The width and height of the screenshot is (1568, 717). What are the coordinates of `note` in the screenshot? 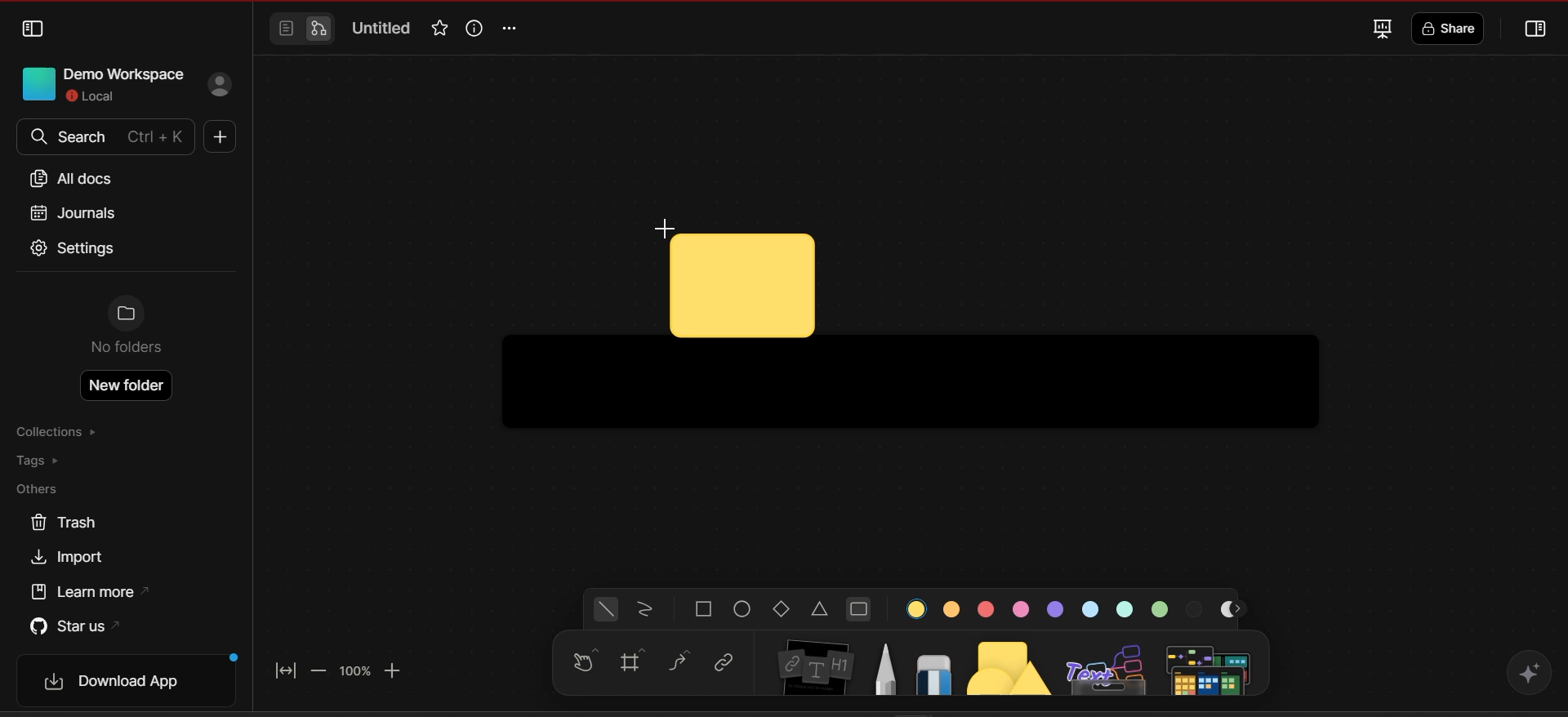 It's located at (817, 663).